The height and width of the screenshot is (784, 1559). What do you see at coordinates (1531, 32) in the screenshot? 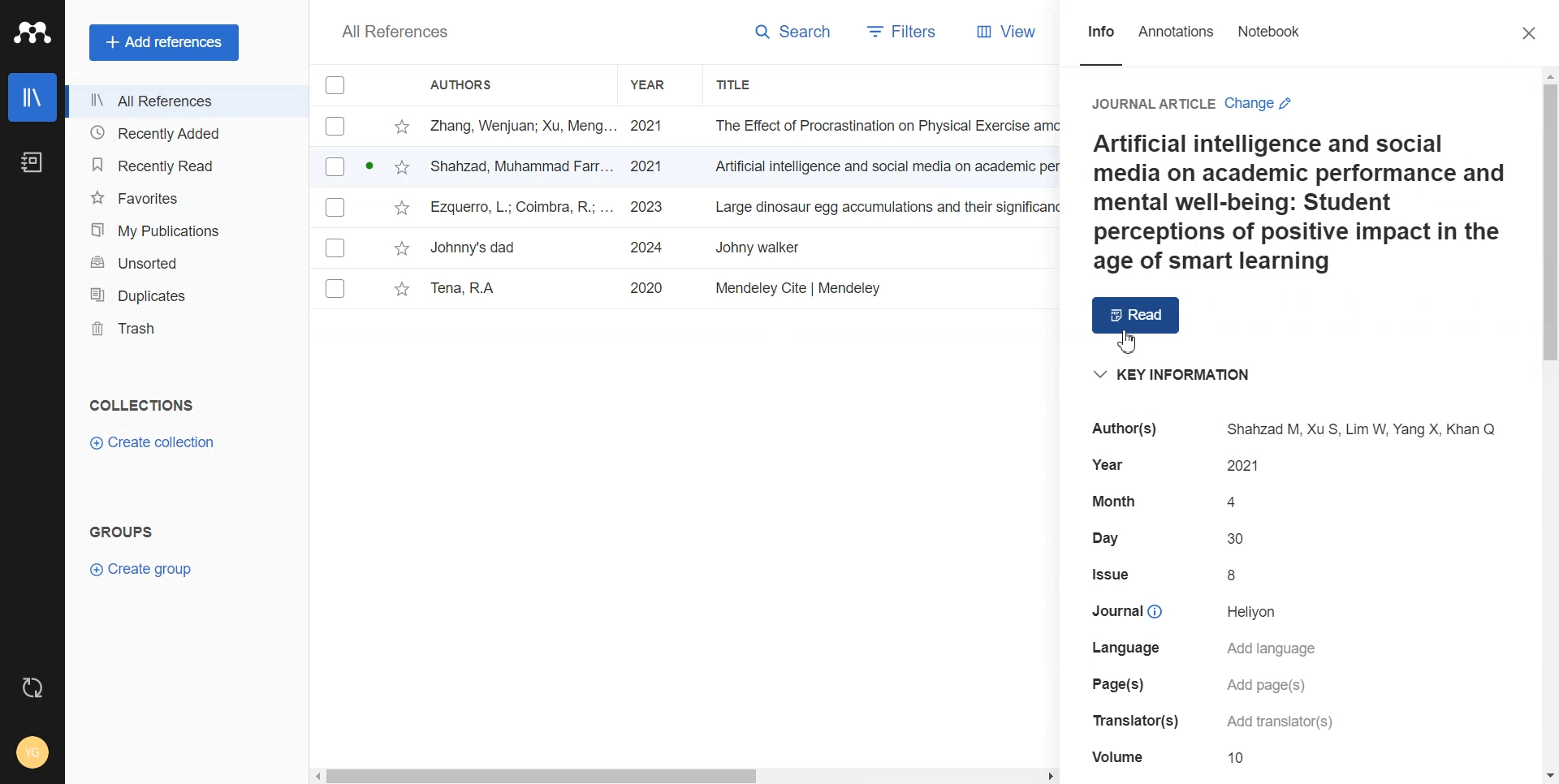
I see `Close` at bounding box center [1531, 32].